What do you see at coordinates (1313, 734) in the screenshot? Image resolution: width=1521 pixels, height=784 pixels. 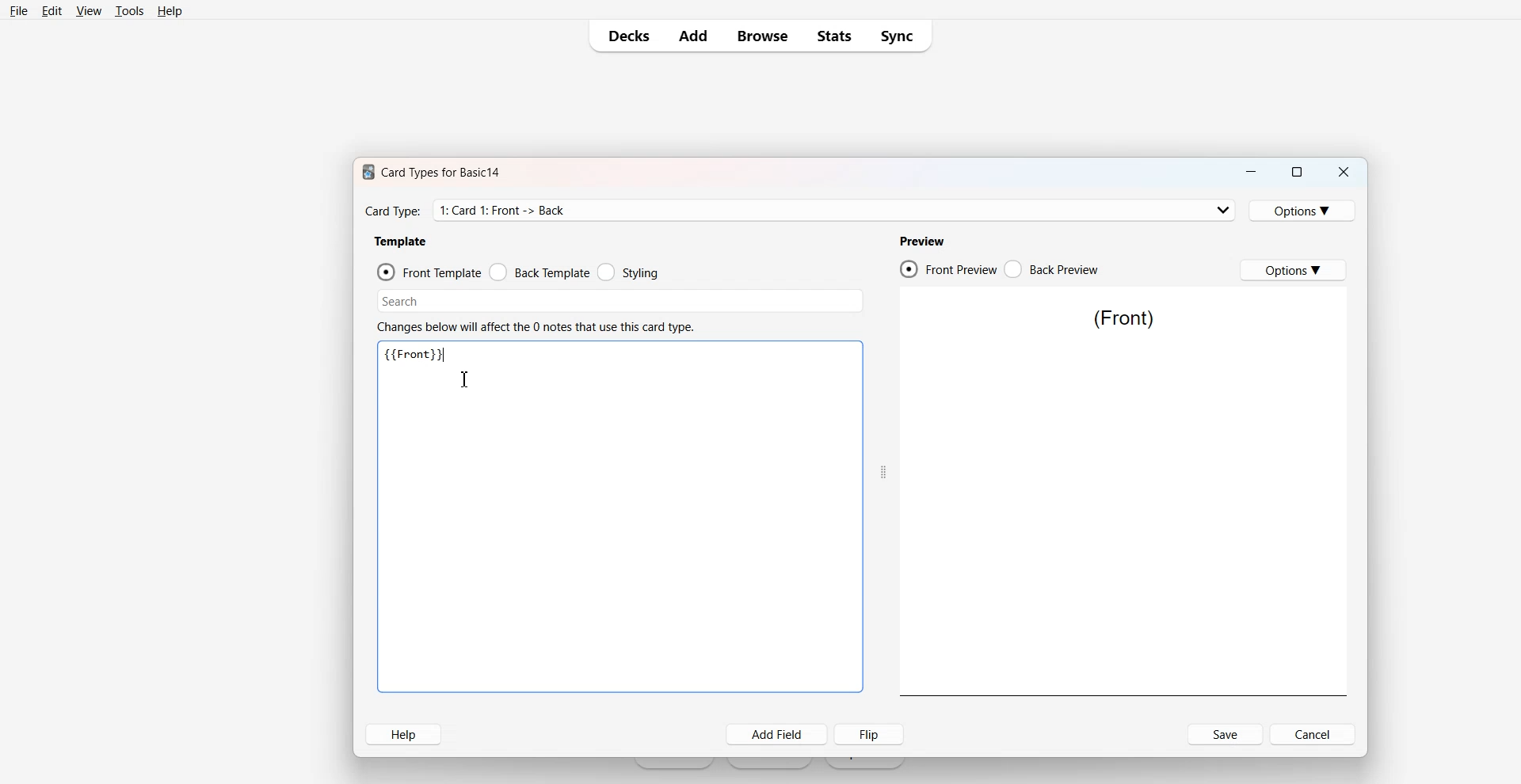 I see `Cancel` at bounding box center [1313, 734].